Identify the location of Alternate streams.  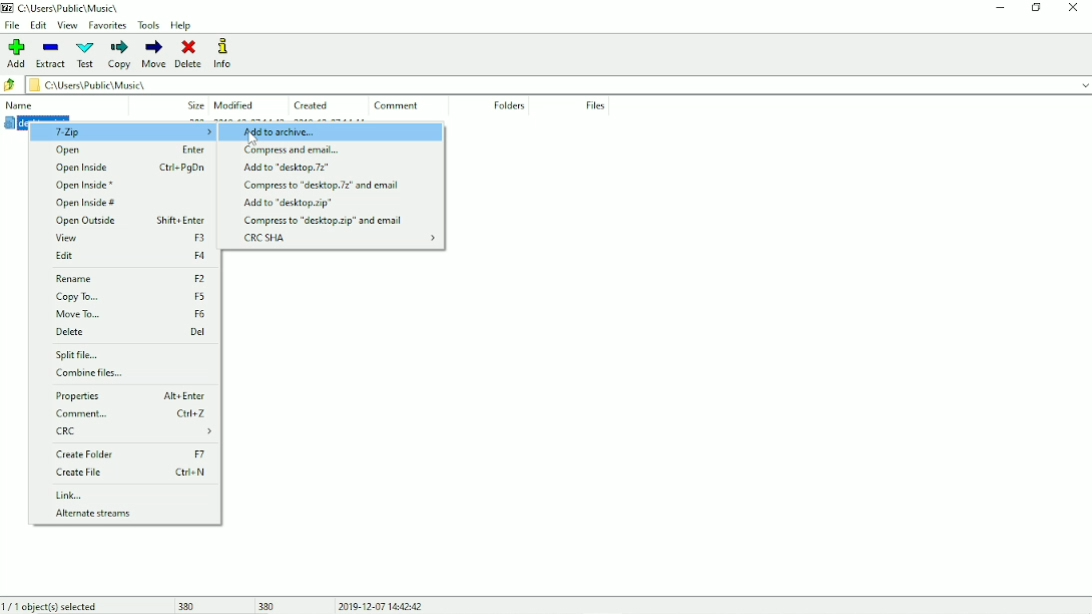
(102, 513).